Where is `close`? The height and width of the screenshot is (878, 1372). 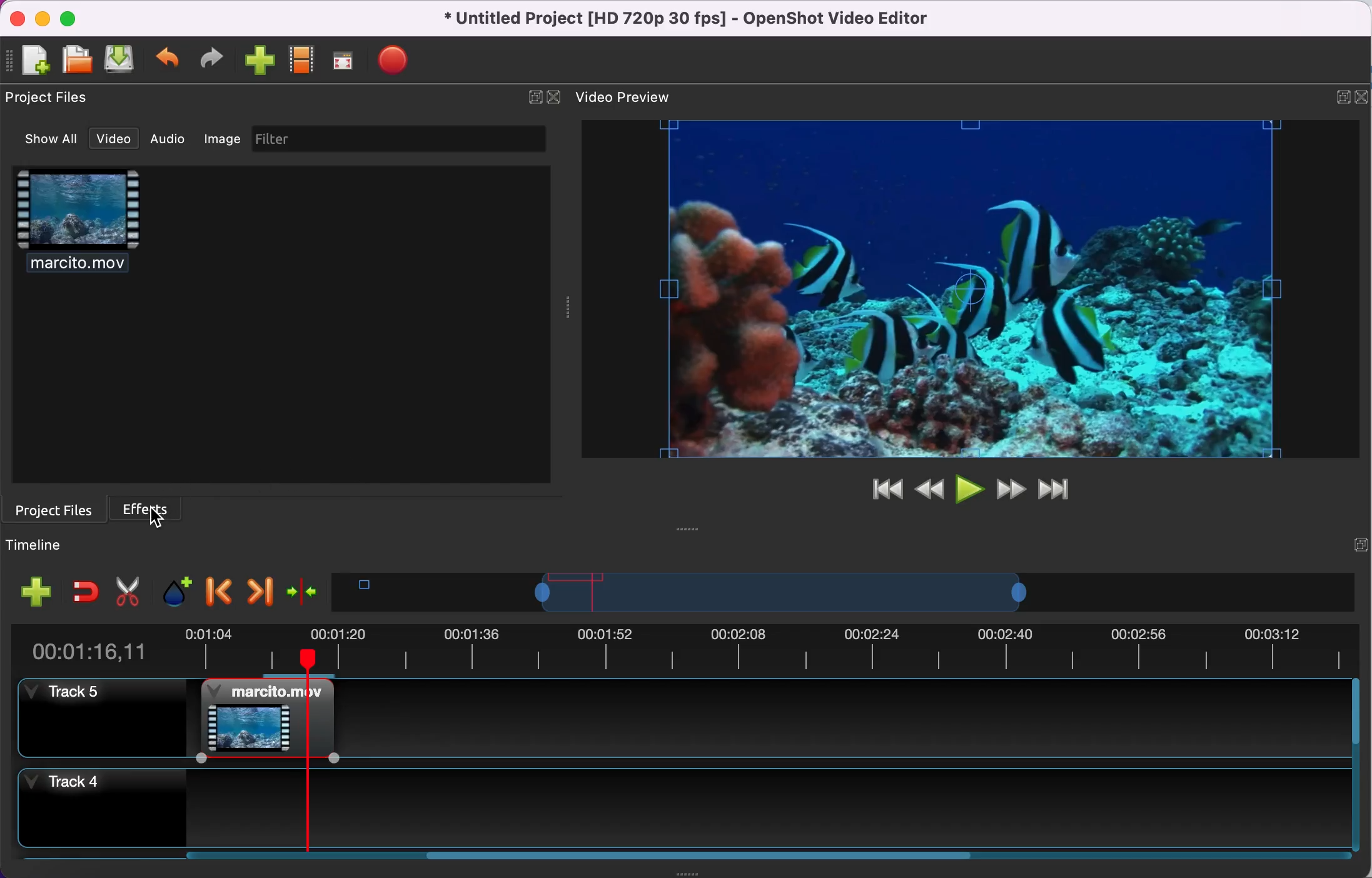 close is located at coordinates (1363, 95).